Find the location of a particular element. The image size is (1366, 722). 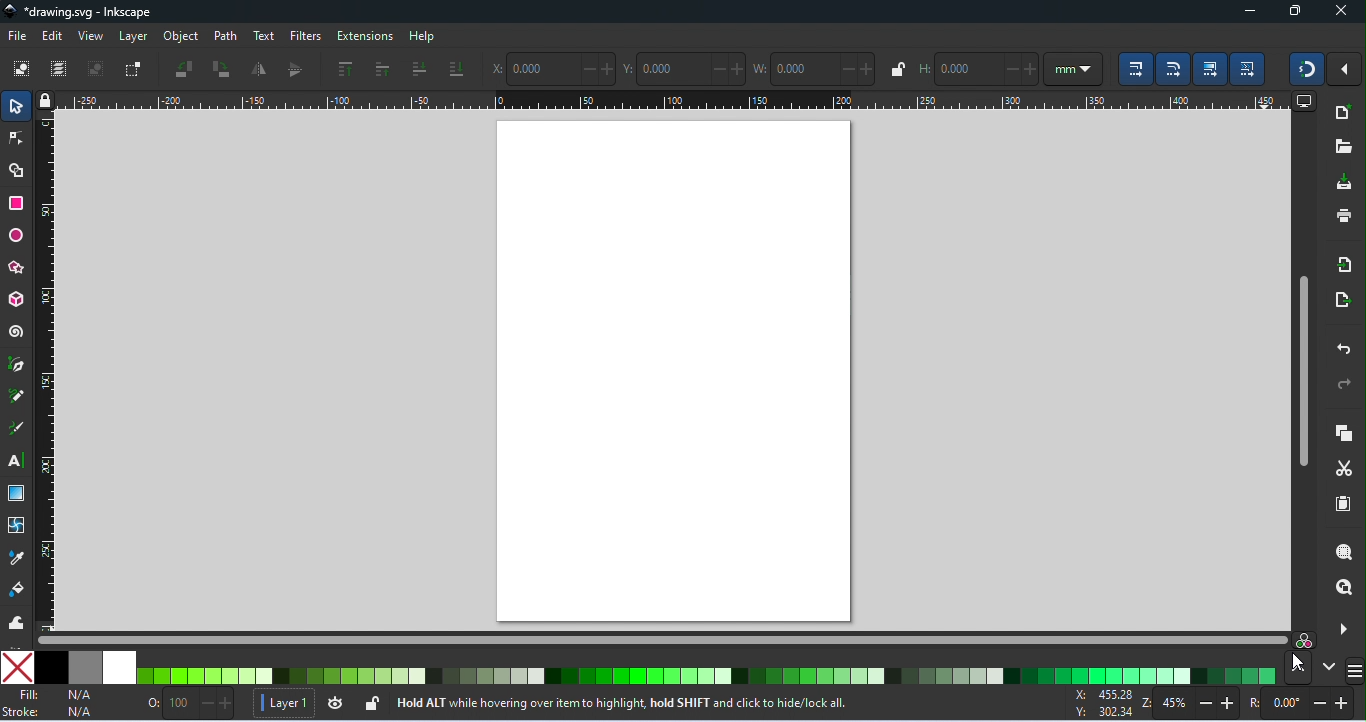

minimize is located at coordinates (1250, 12).